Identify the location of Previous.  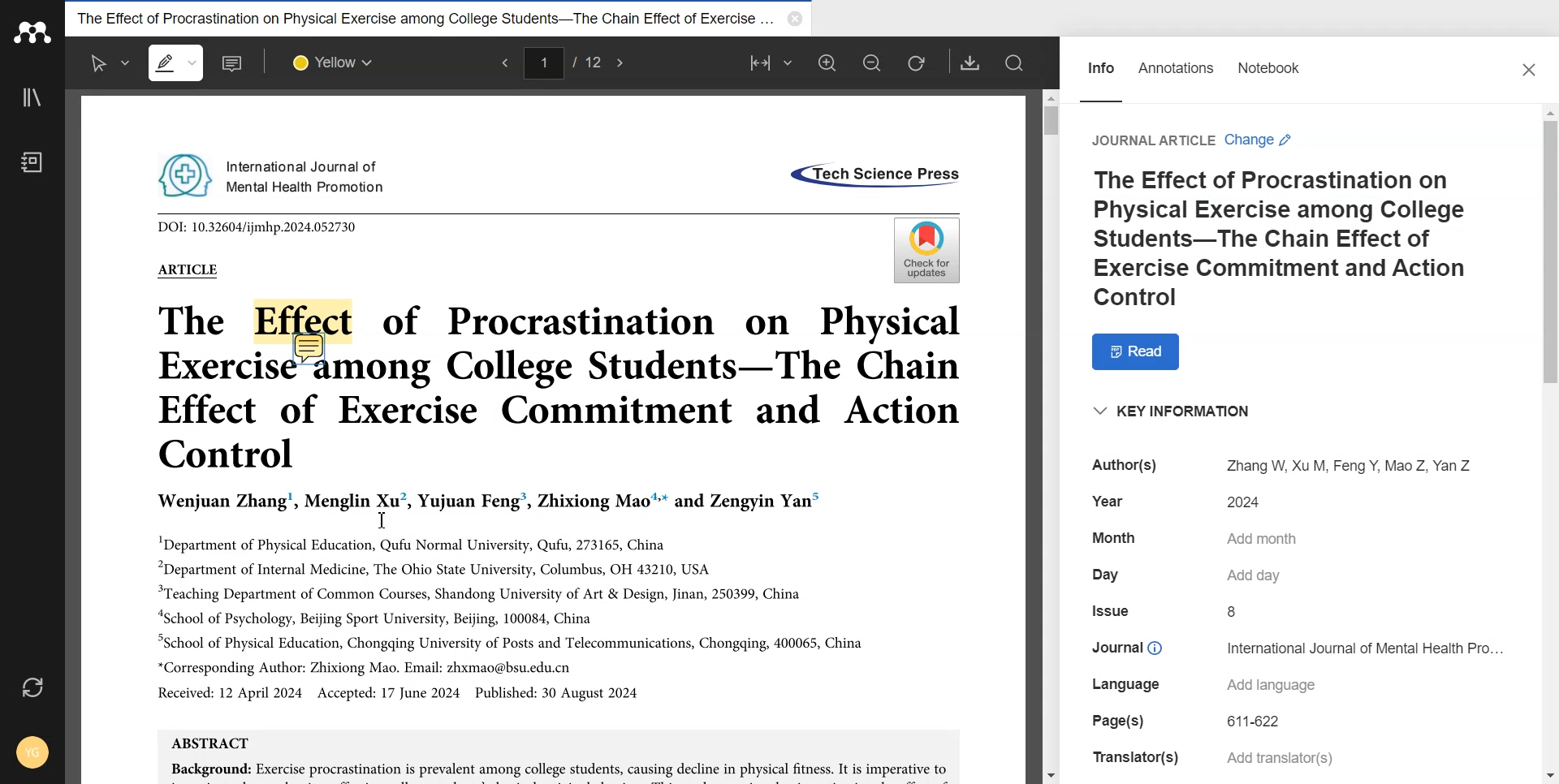
(502, 62).